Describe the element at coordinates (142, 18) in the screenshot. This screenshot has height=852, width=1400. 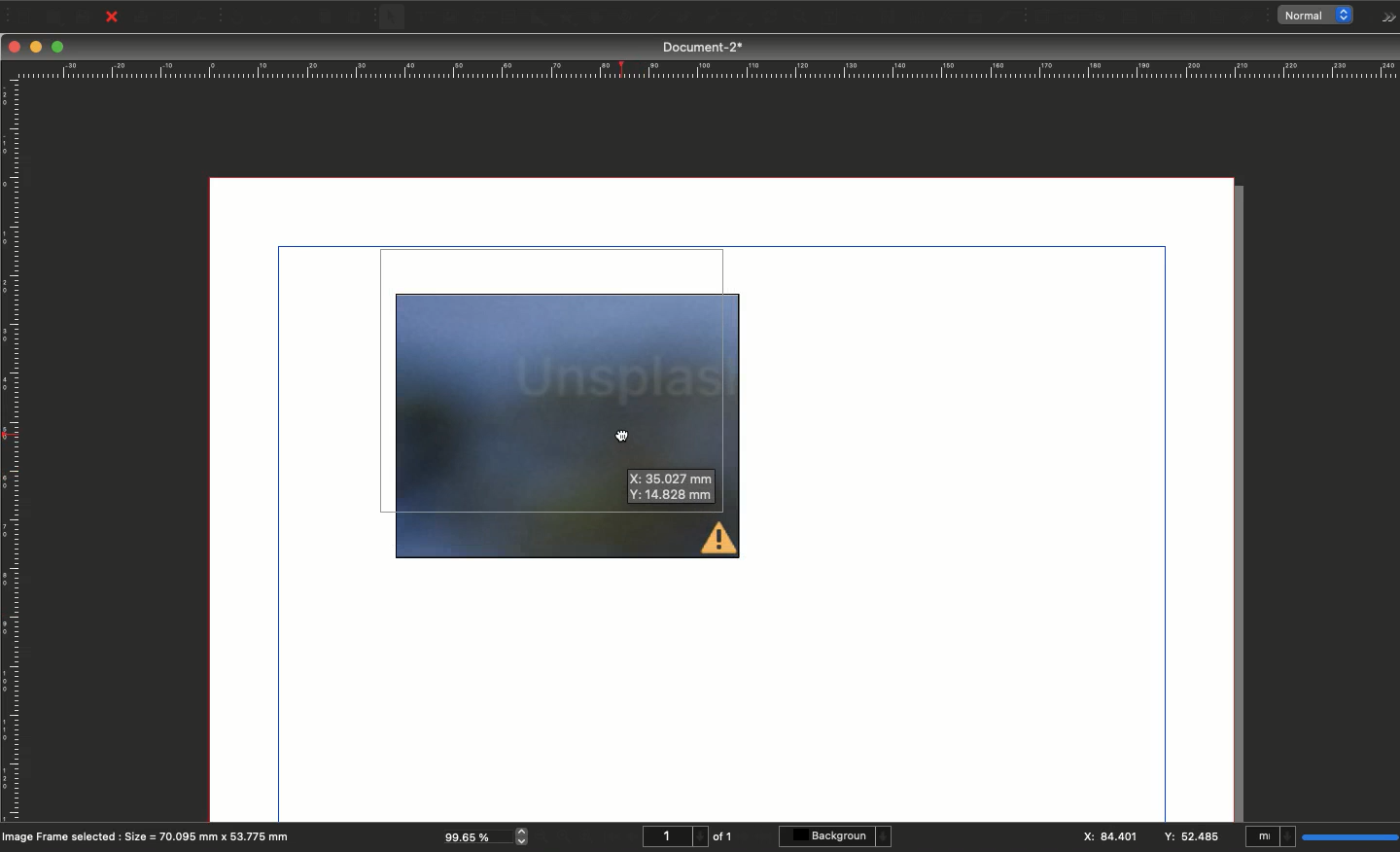
I see `Print` at that location.